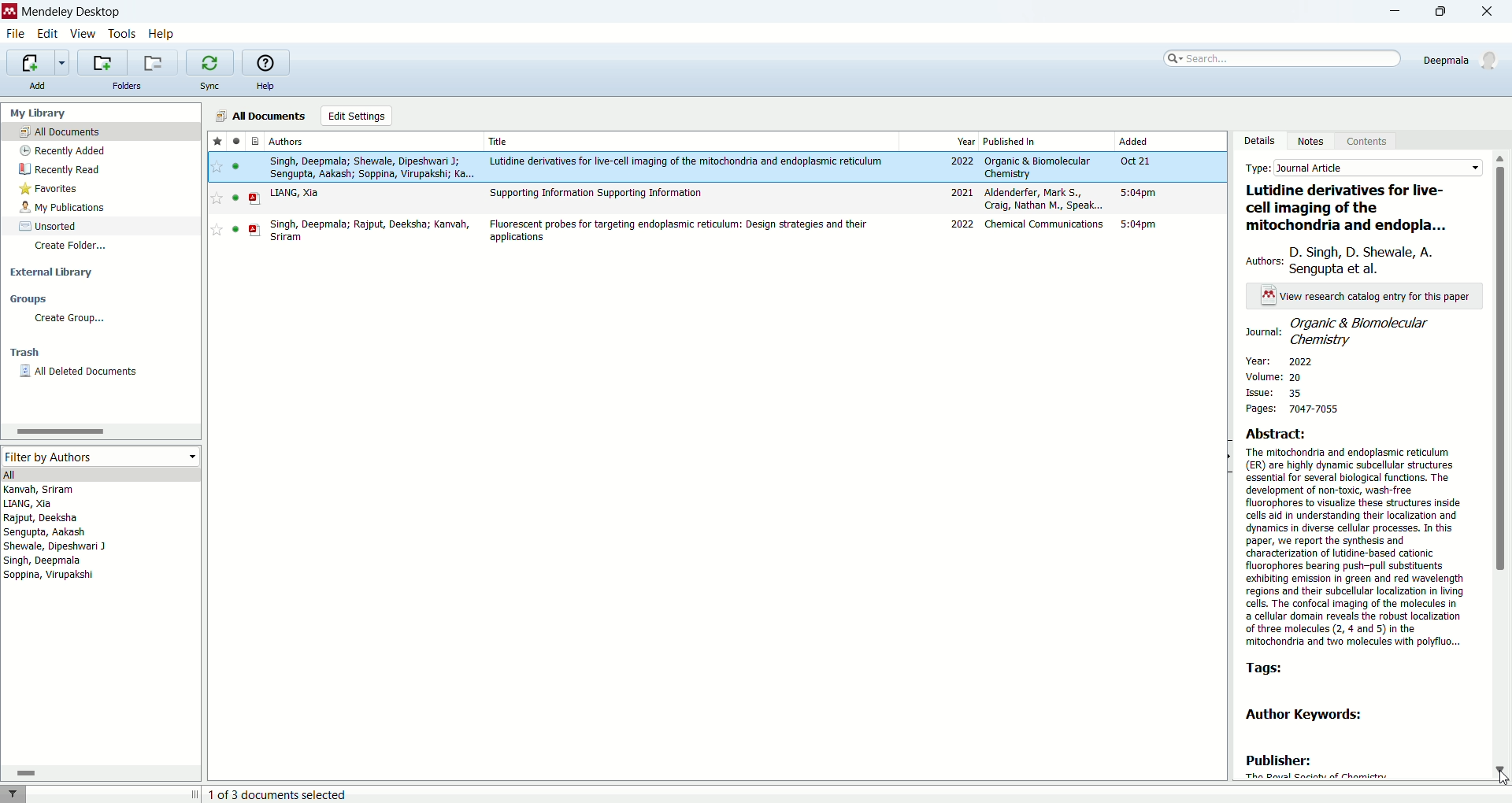  What do you see at coordinates (217, 229) in the screenshot?
I see `favorite` at bounding box center [217, 229].